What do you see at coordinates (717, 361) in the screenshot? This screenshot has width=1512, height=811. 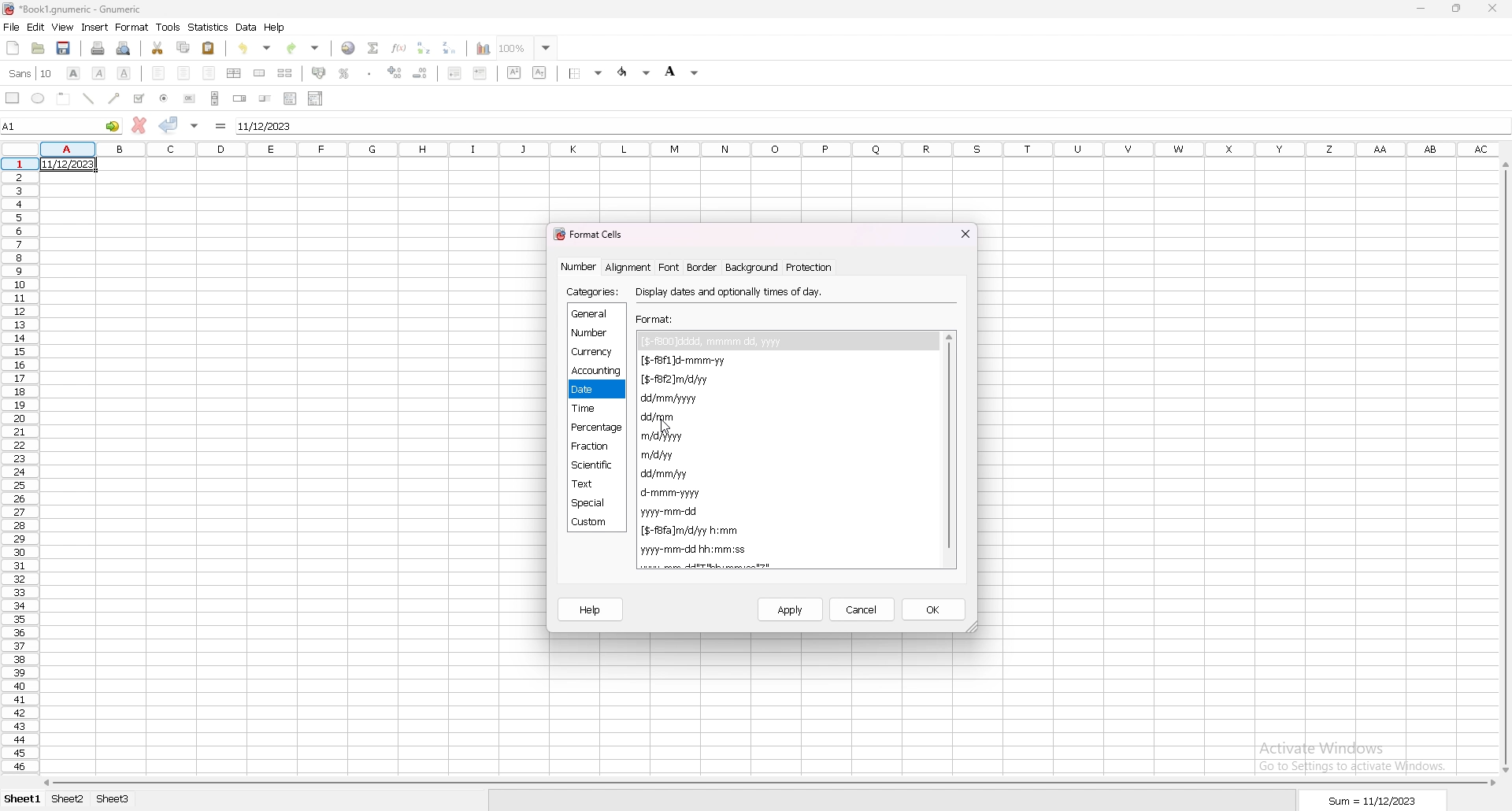 I see `[$-f8f1]d-mmmm-yy` at bounding box center [717, 361].